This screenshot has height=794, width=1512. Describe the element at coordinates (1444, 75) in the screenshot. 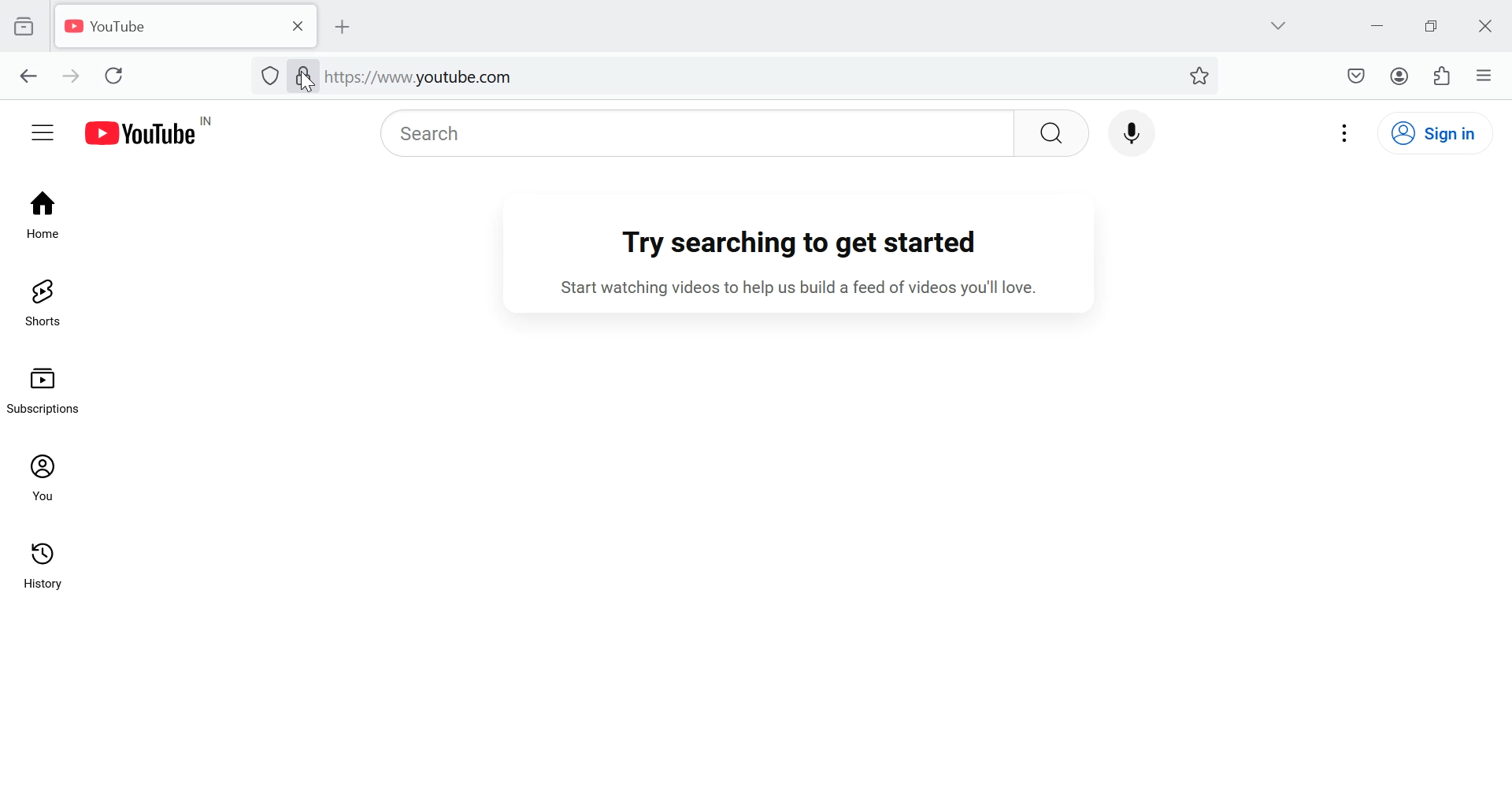

I see `Extensions` at that location.